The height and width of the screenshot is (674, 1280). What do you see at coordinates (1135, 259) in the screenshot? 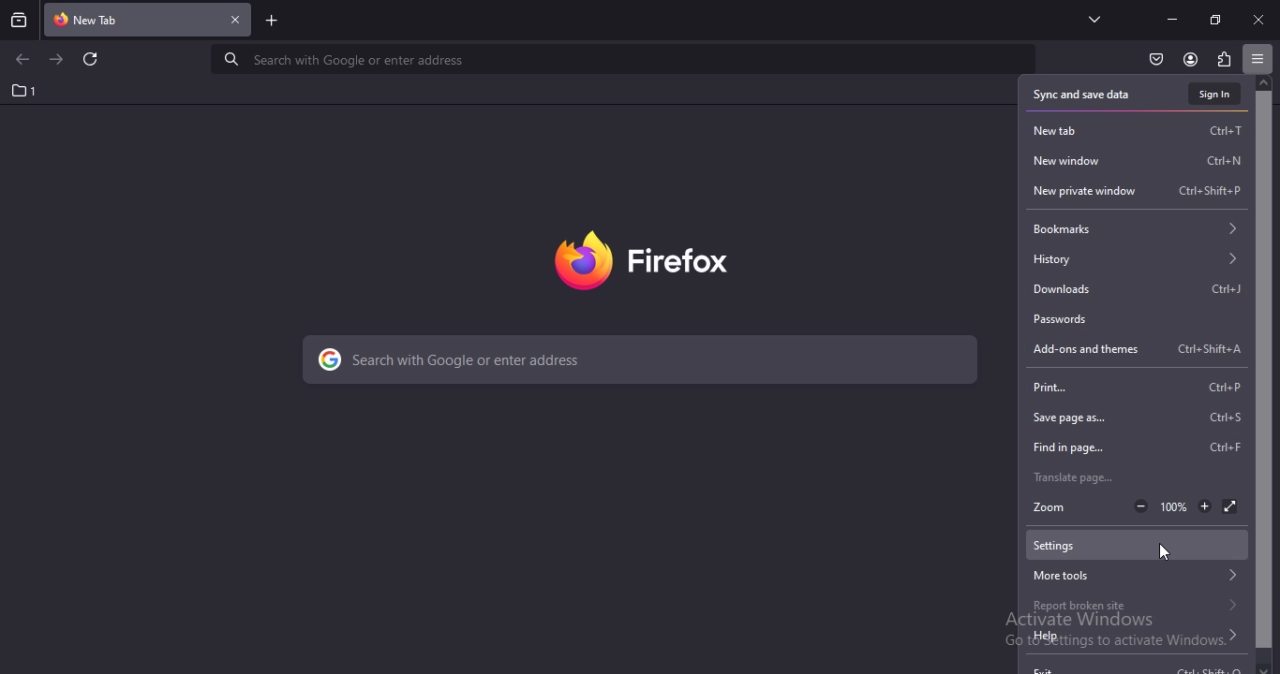
I see `history` at bounding box center [1135, 259].